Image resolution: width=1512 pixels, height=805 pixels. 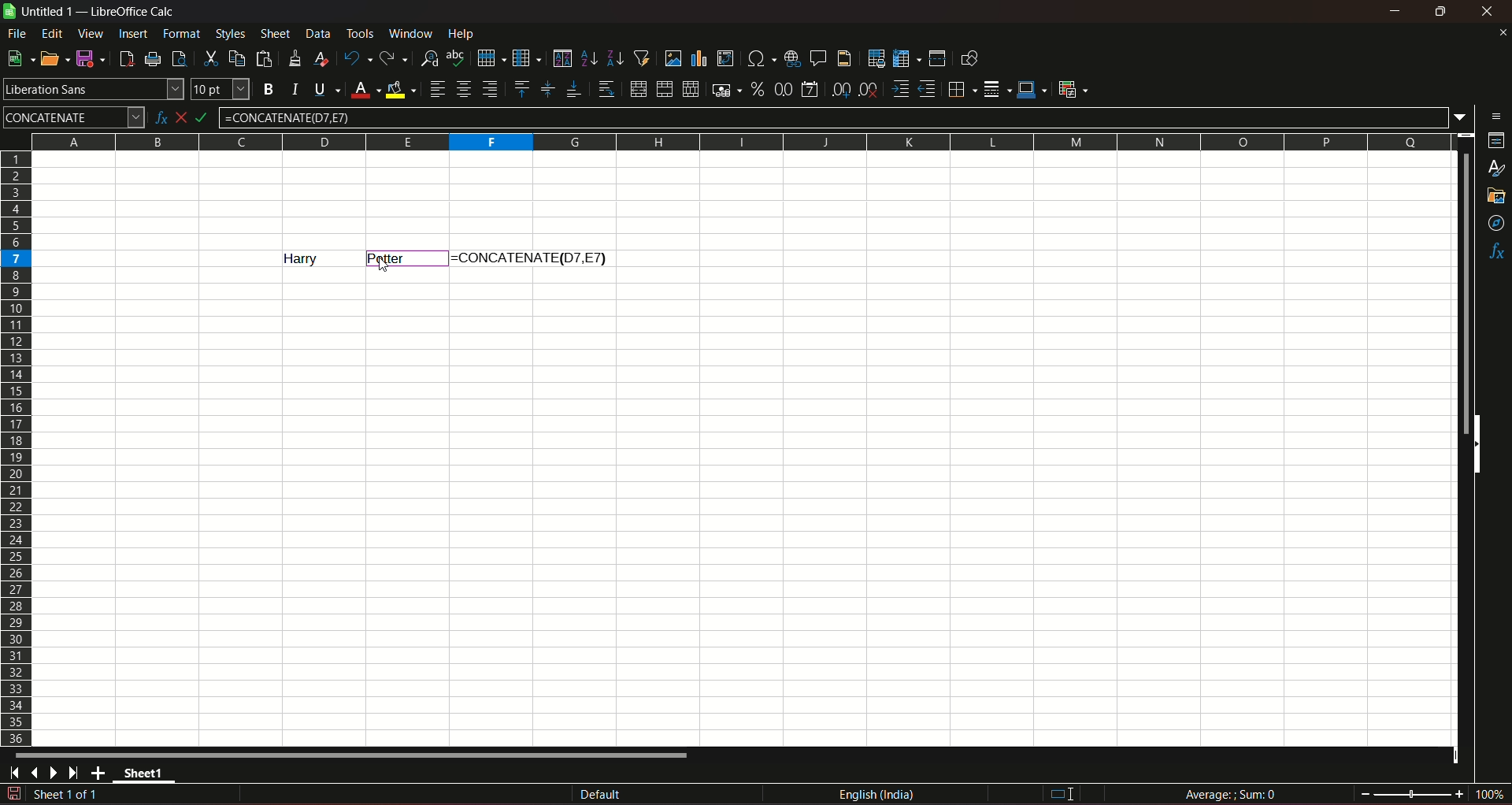 What do you see at coordinates (229, 33) in the screenshot?
I see `styles` at bounding box center [229, 33].